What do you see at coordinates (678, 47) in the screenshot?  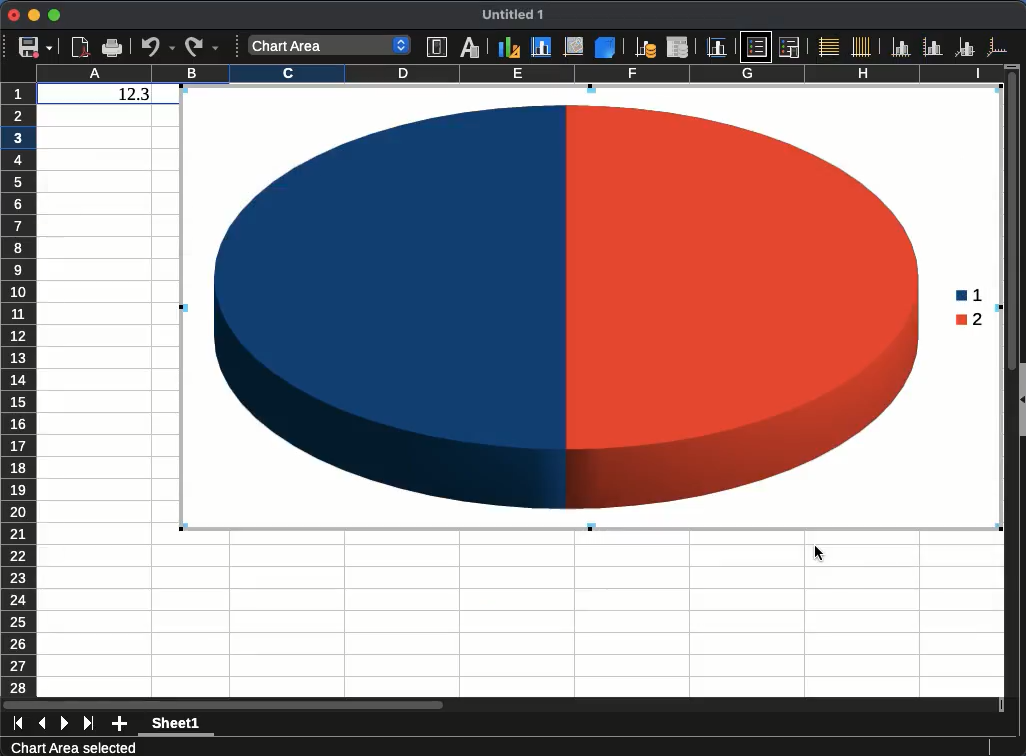 I see `Data table` at bounding box center [678, 47].